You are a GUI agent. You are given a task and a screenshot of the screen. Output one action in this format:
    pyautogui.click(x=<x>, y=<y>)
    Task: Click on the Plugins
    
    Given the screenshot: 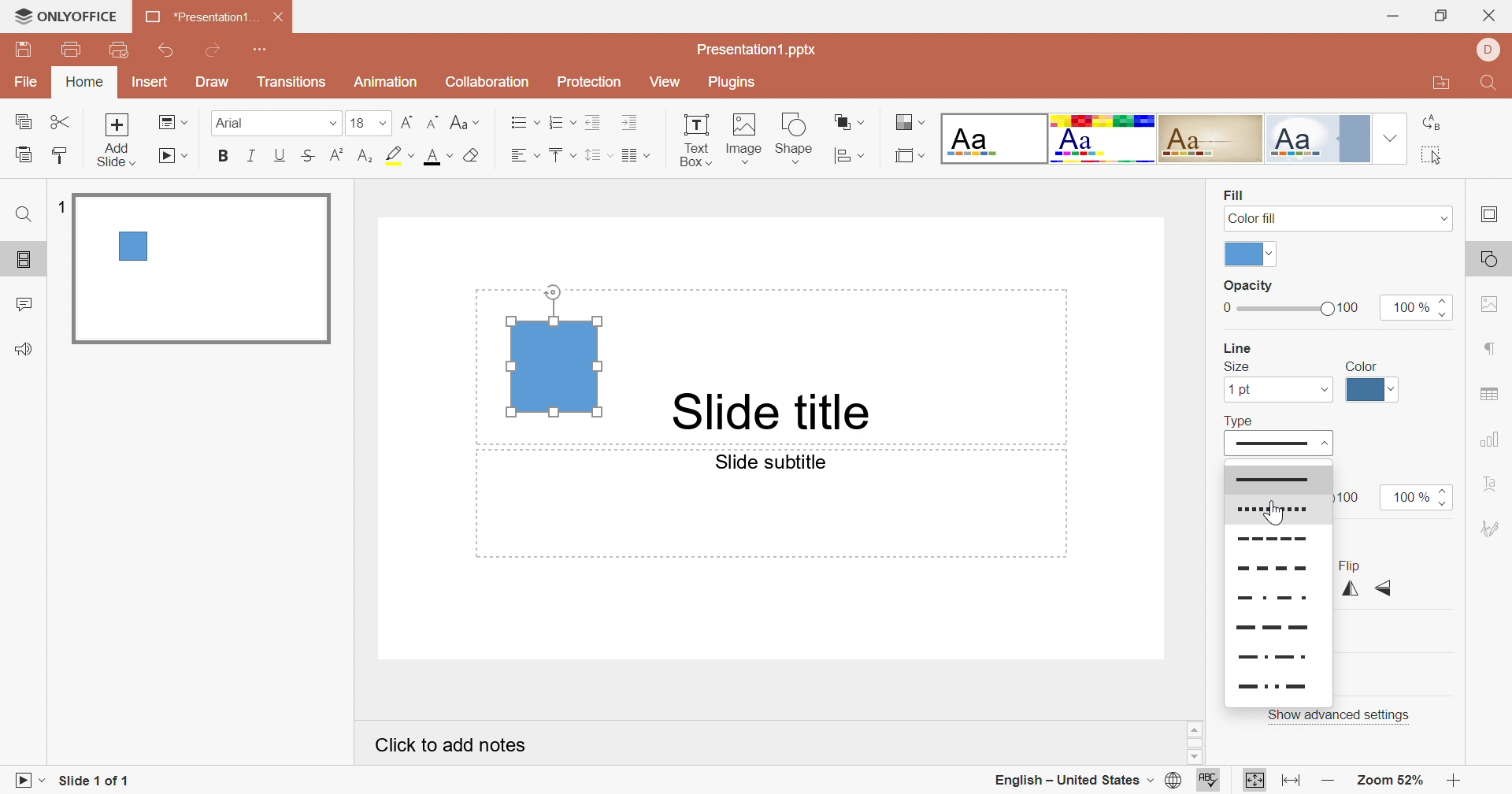 What is the action you would take?
    pyautogui.click(x=736, y=82)
    